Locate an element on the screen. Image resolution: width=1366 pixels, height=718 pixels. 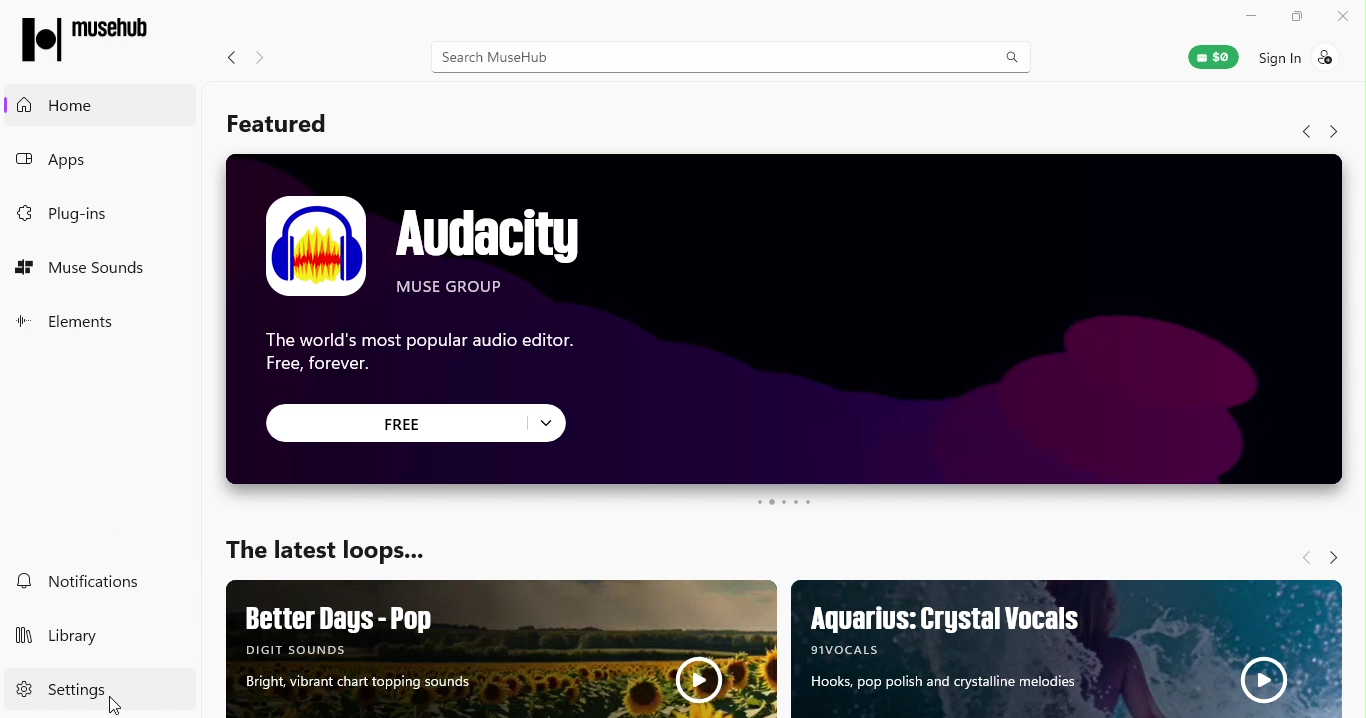
Navigate back is located at coordinates (227, 60).